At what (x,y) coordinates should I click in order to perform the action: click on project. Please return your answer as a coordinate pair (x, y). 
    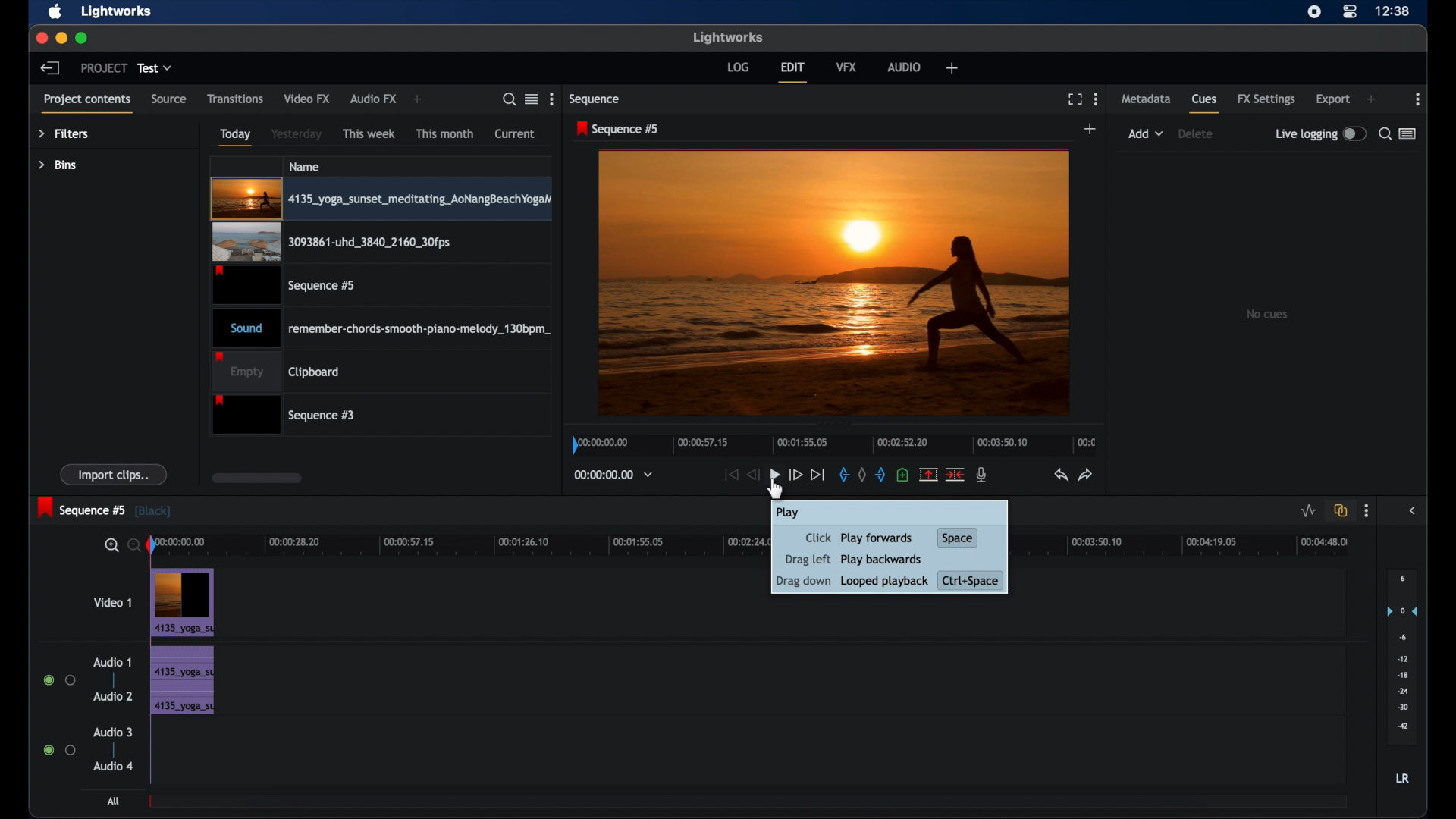
    Looking at the image, I should click on (102, 67).